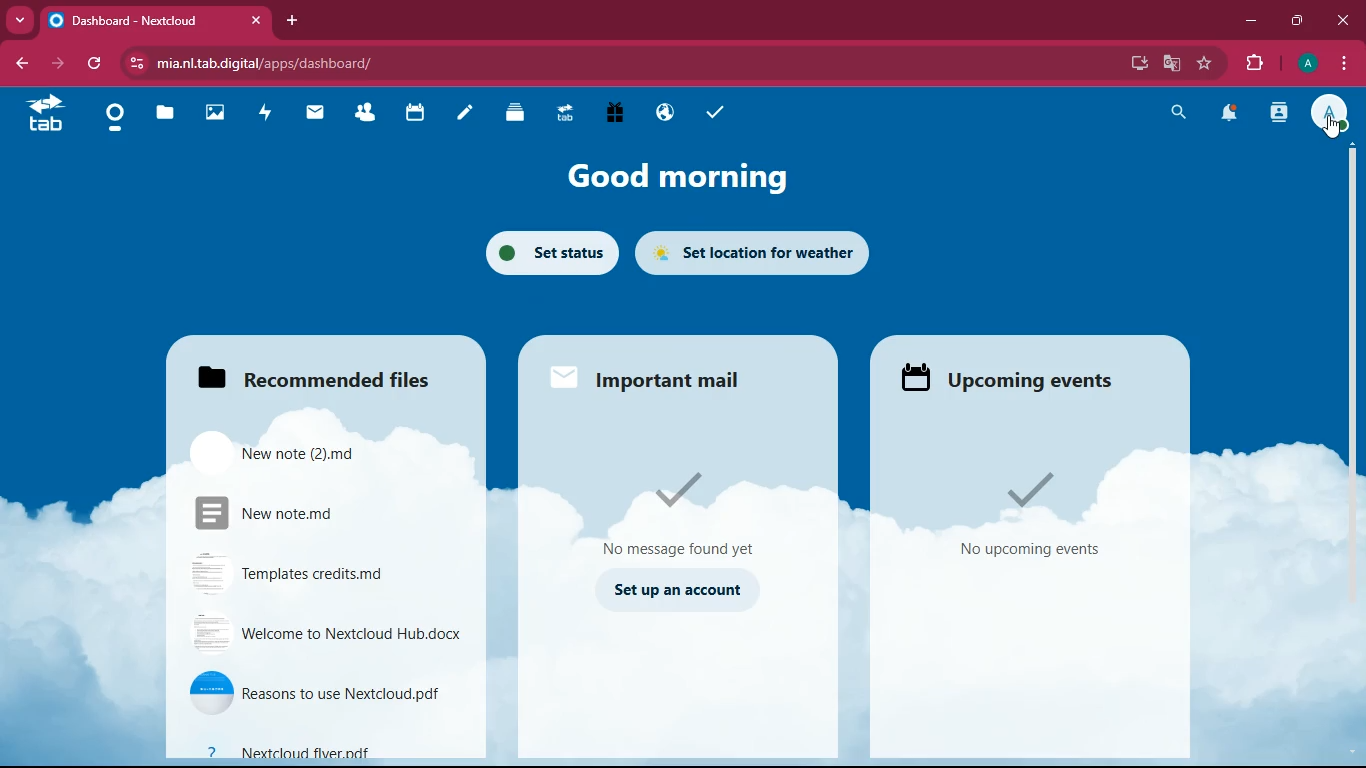 The height and width of the screenshot is (768, 1366). What do you see at coordinates (22, 18) in the screenshot?
I see `more` at bounding box center [22, 18].